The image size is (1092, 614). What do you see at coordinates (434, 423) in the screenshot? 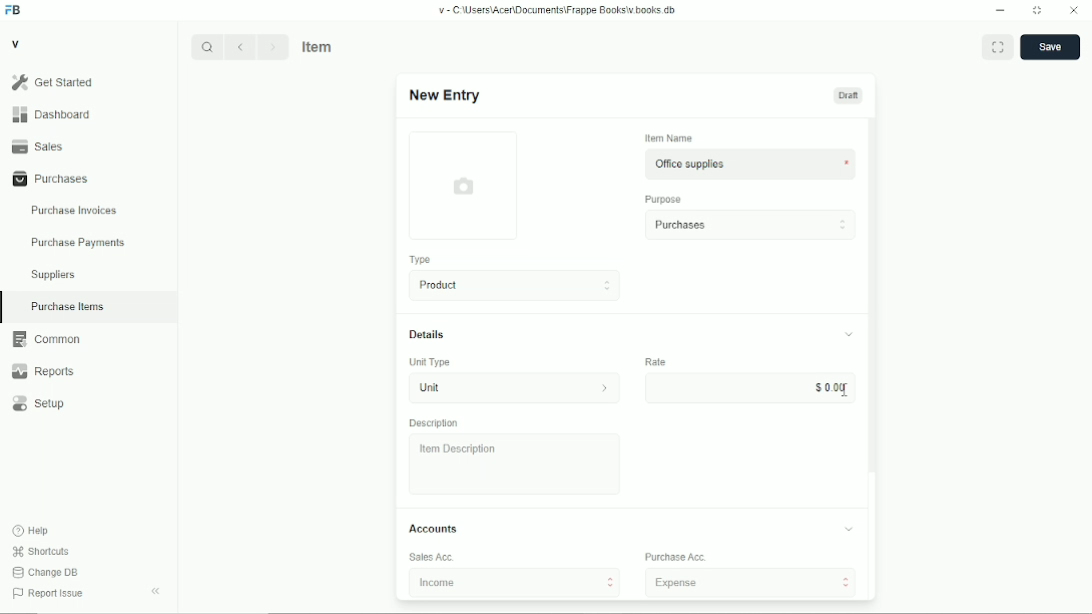
I see `description` at bounding box center [434, 423].